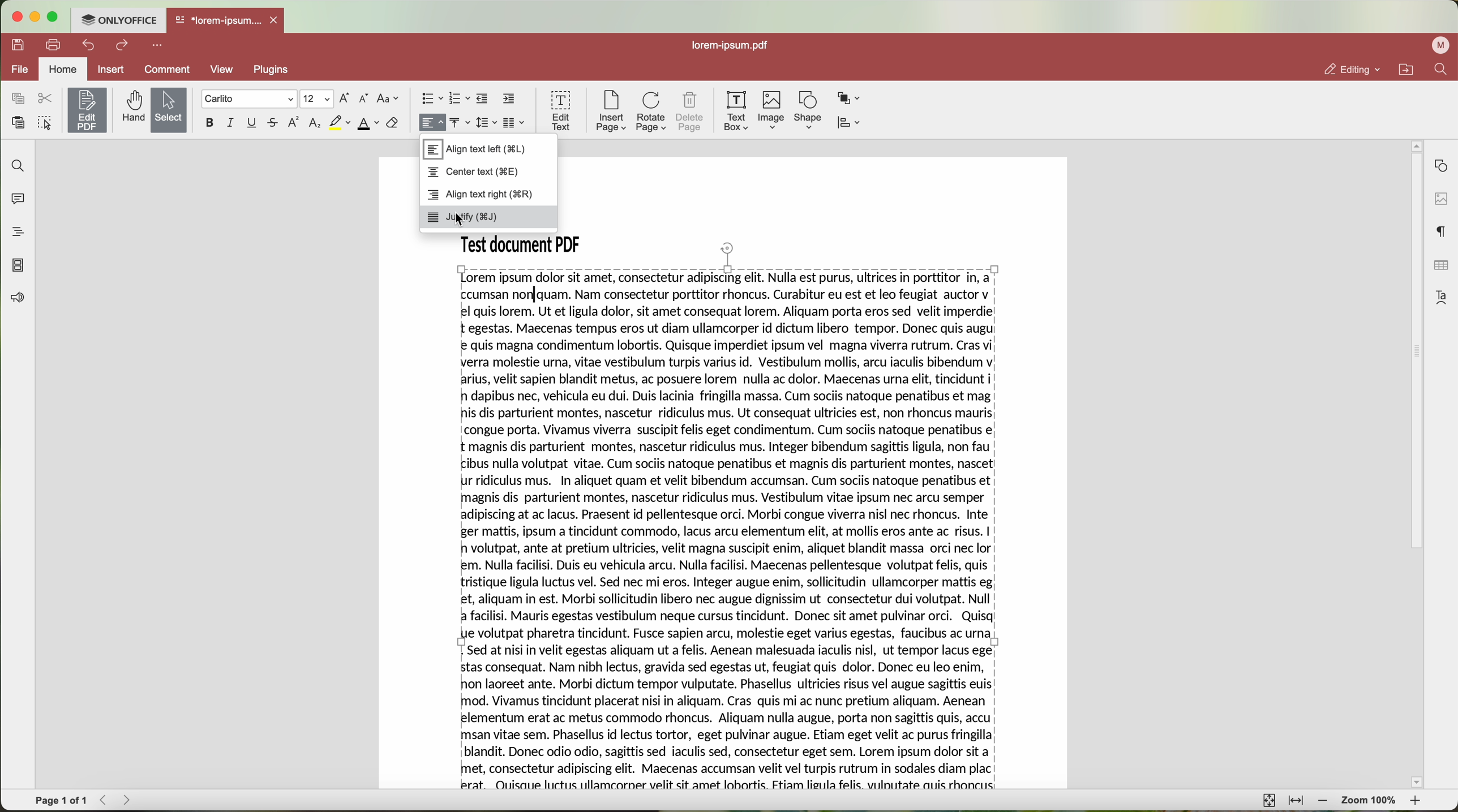 This screenshot has width=1458, height=812. What do you see at coordinates (37, 15) in the screenshot?
I see `minimize` at bounding box center [37, 15].